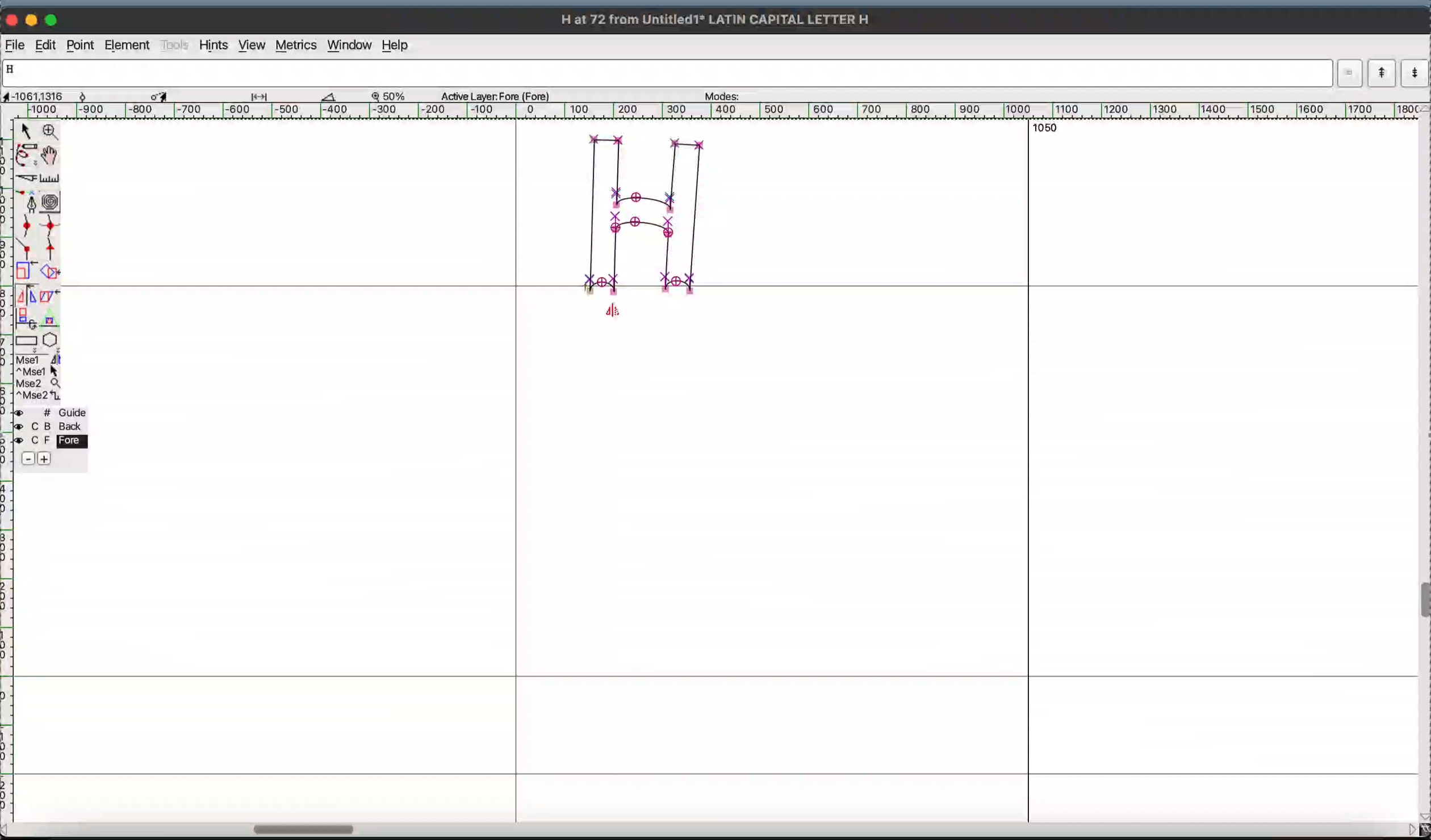 The height and width of the screenshot is (840, 1431). Describe the element at coordinates (49, 228) in the screenshot. I see `sharp curve` at that location.